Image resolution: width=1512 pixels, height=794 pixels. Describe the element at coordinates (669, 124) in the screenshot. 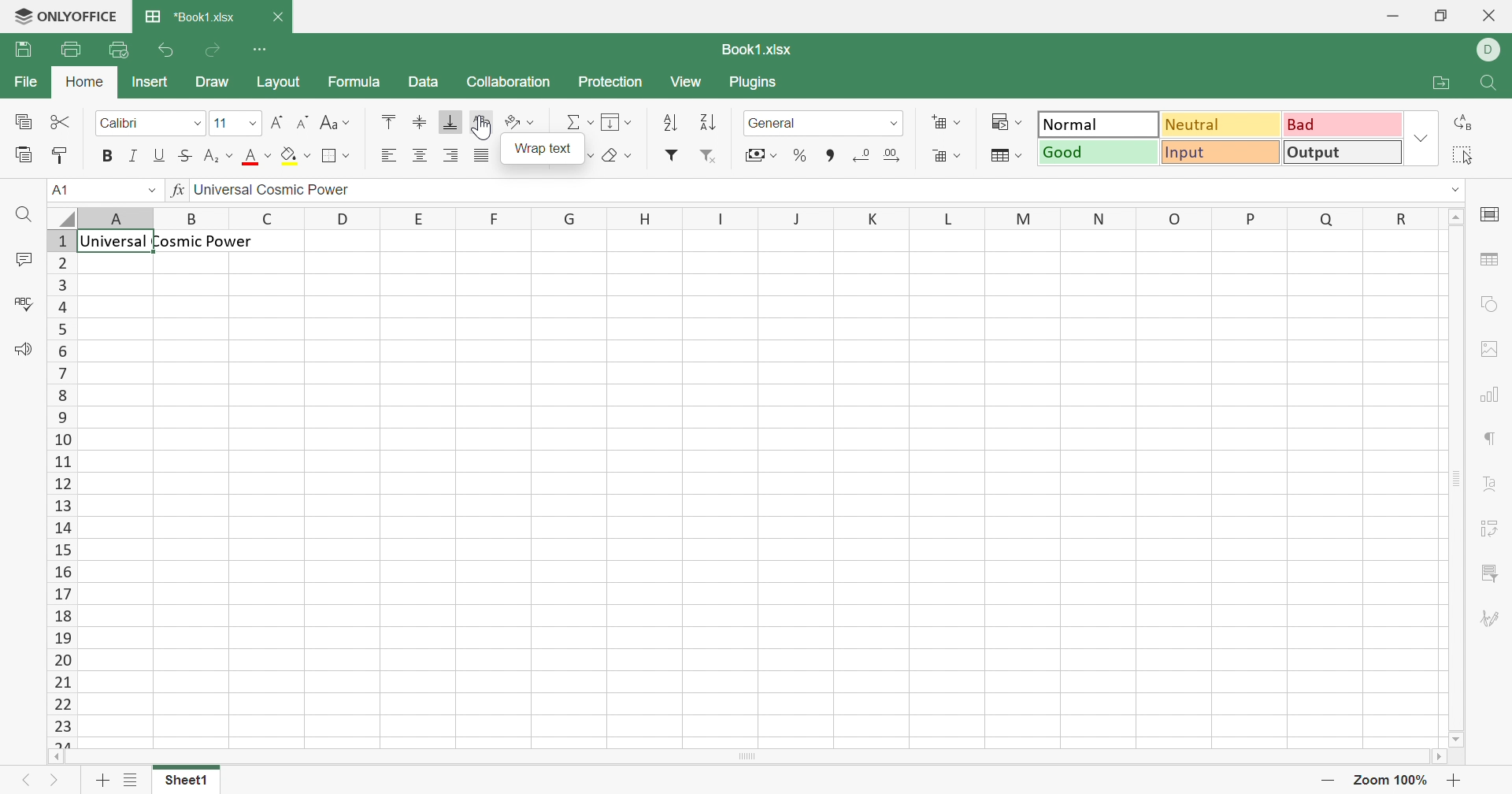

I see `Ascending order` at that location.